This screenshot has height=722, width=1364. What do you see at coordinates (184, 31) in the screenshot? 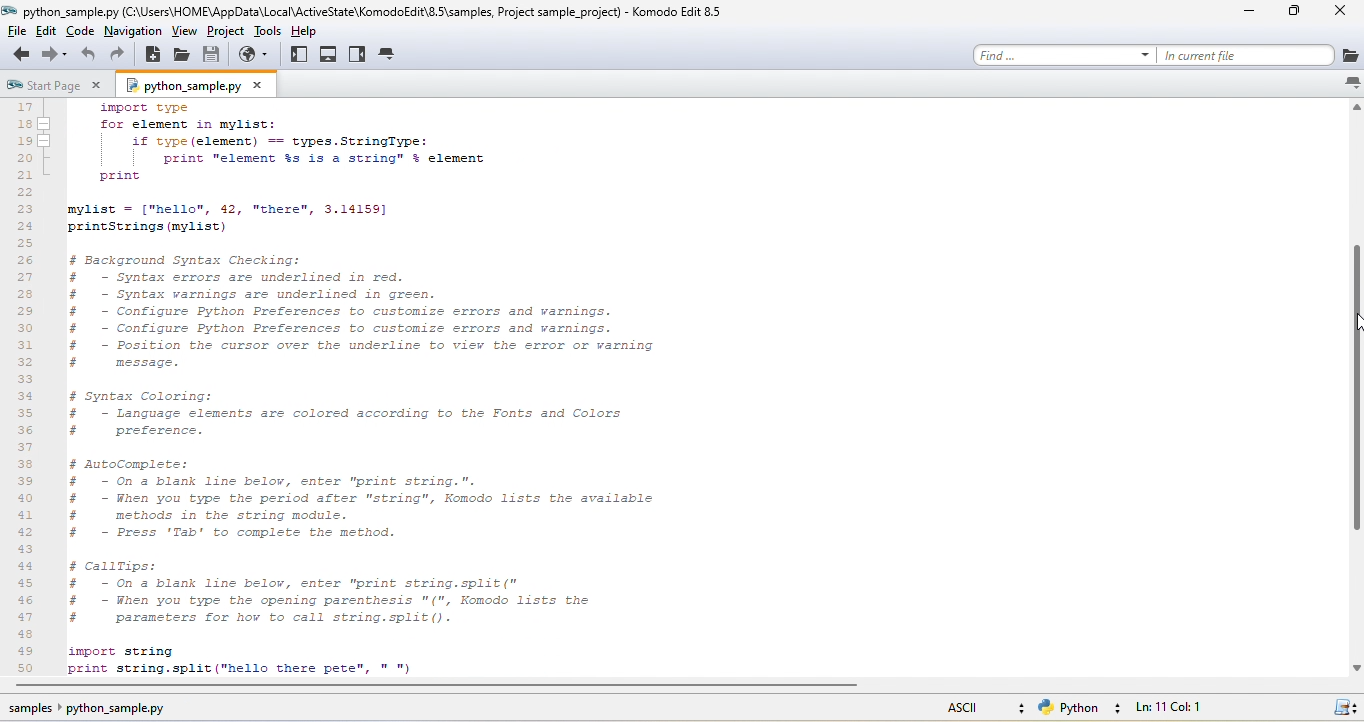
I see `view` at bounding box center [184, 31].